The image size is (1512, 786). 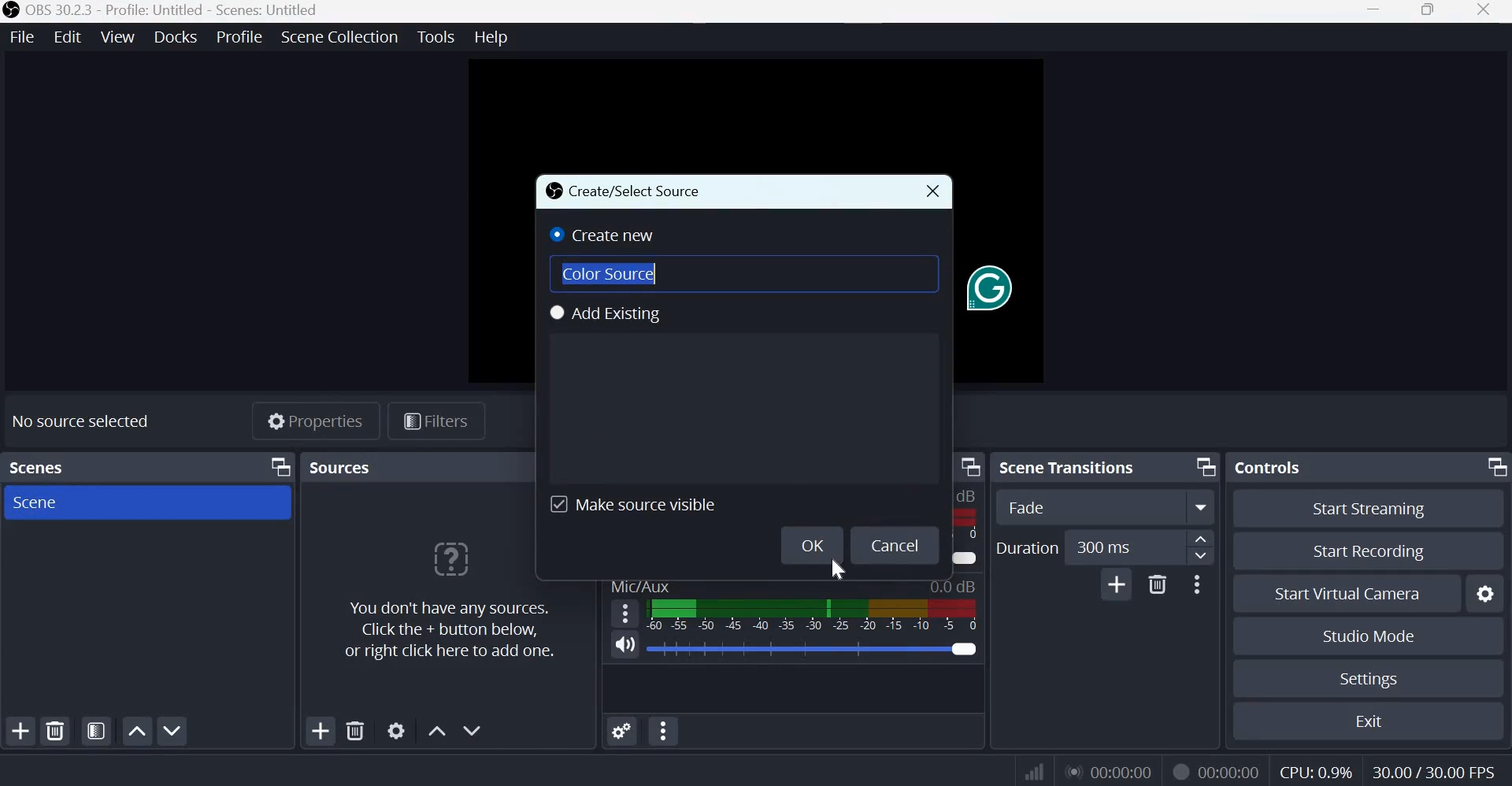 I want to click on Configure virtual camers, so click(x=1488, y=595).